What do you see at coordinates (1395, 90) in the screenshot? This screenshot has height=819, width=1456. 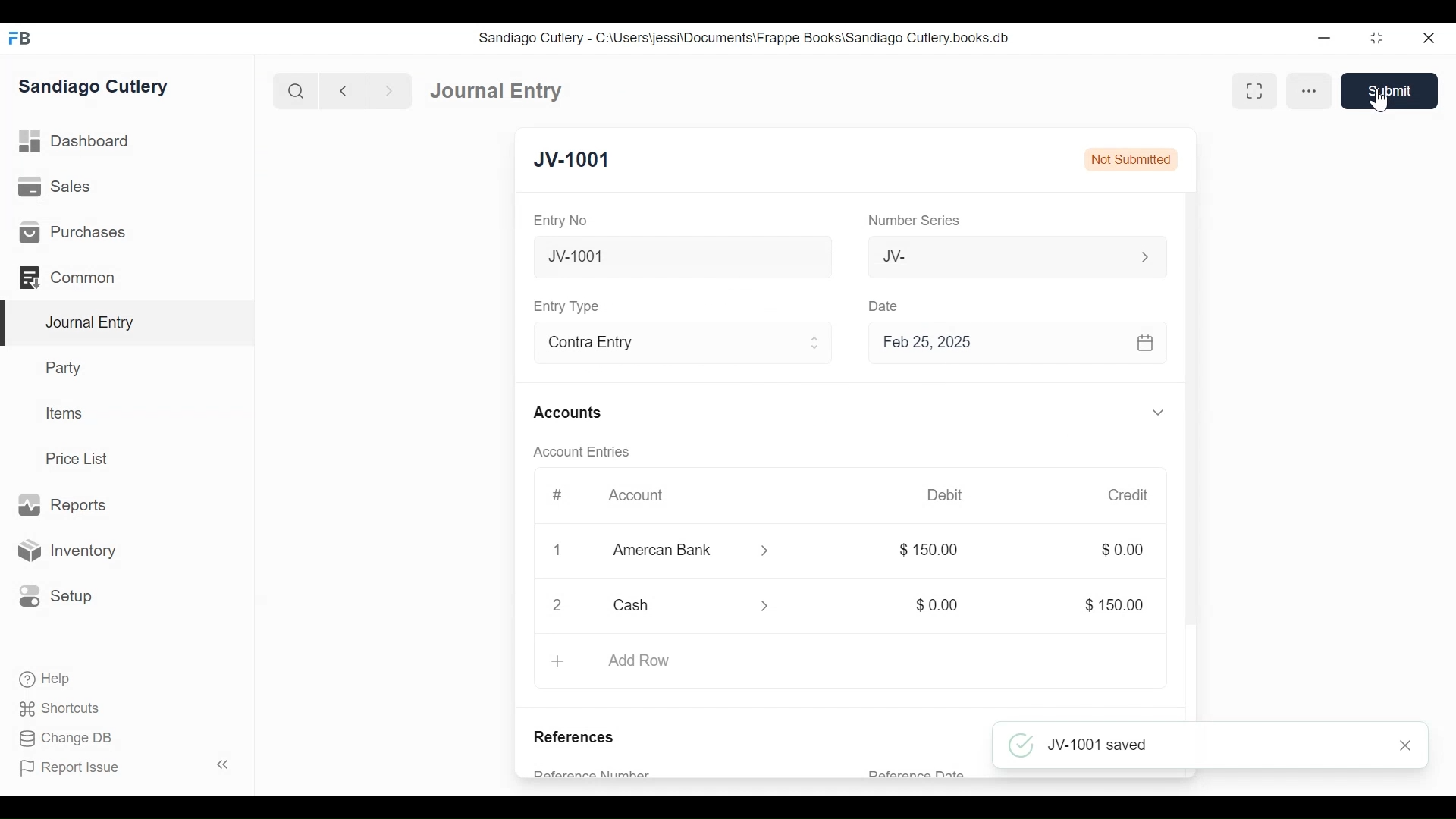 I see `Save` at bounding box center [1395, 90].